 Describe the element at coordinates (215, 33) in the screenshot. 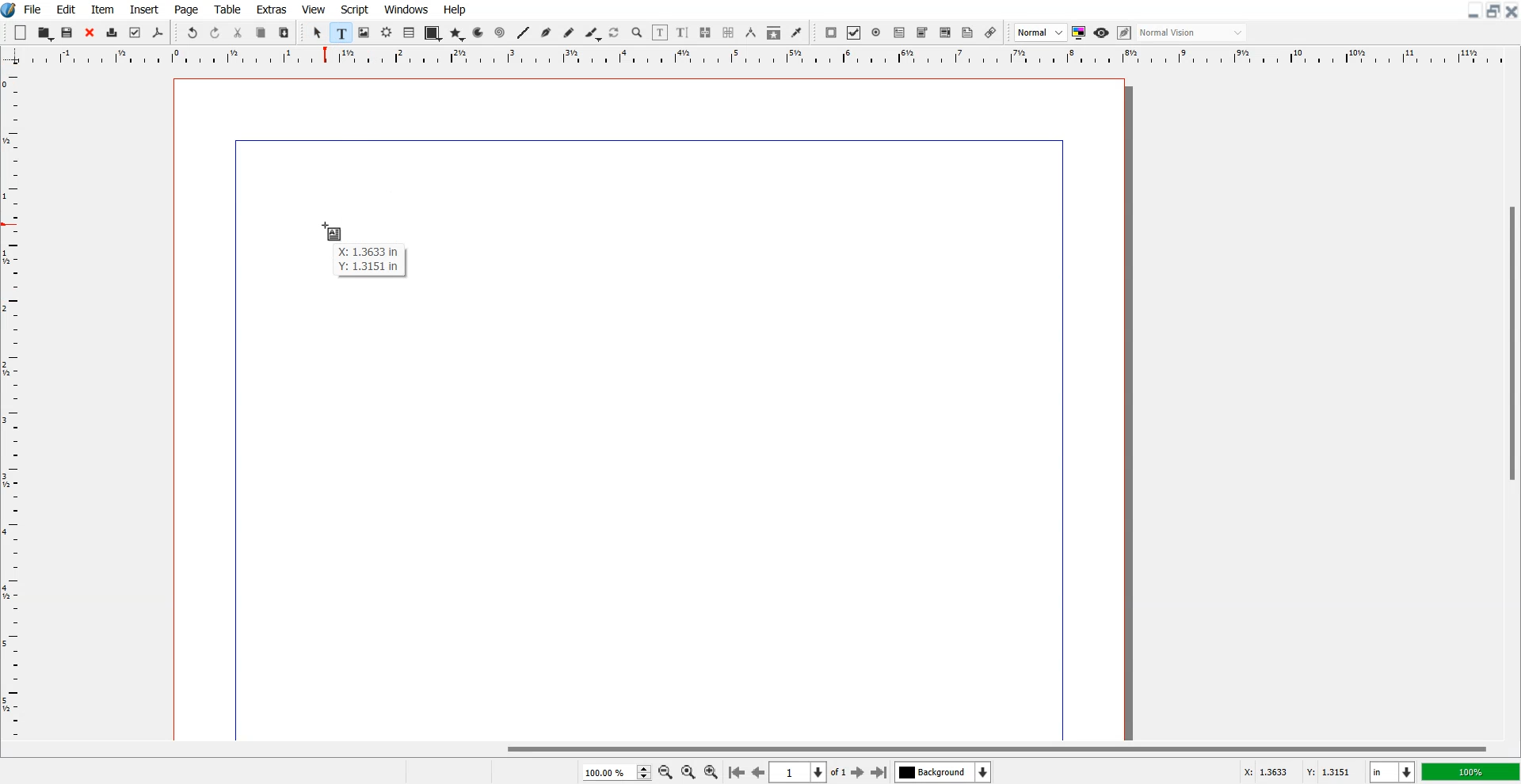

I see `Redo` at that location.